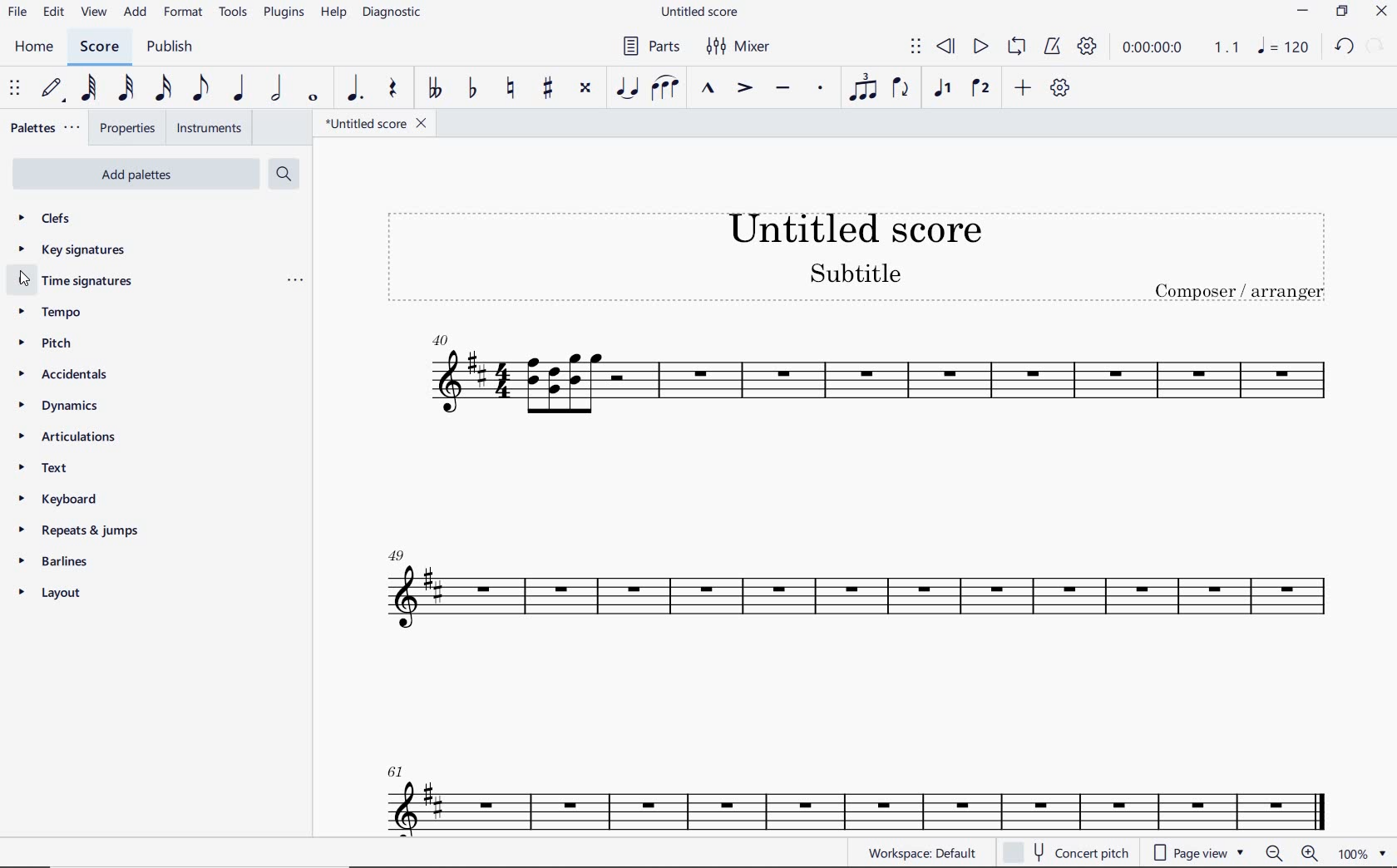 This screenshot has width=1397, height=868. Describe the element at coordinates (1290, 852) in the screenshot. I see `ZOOM OUT OR ZOOM IN` at that location.